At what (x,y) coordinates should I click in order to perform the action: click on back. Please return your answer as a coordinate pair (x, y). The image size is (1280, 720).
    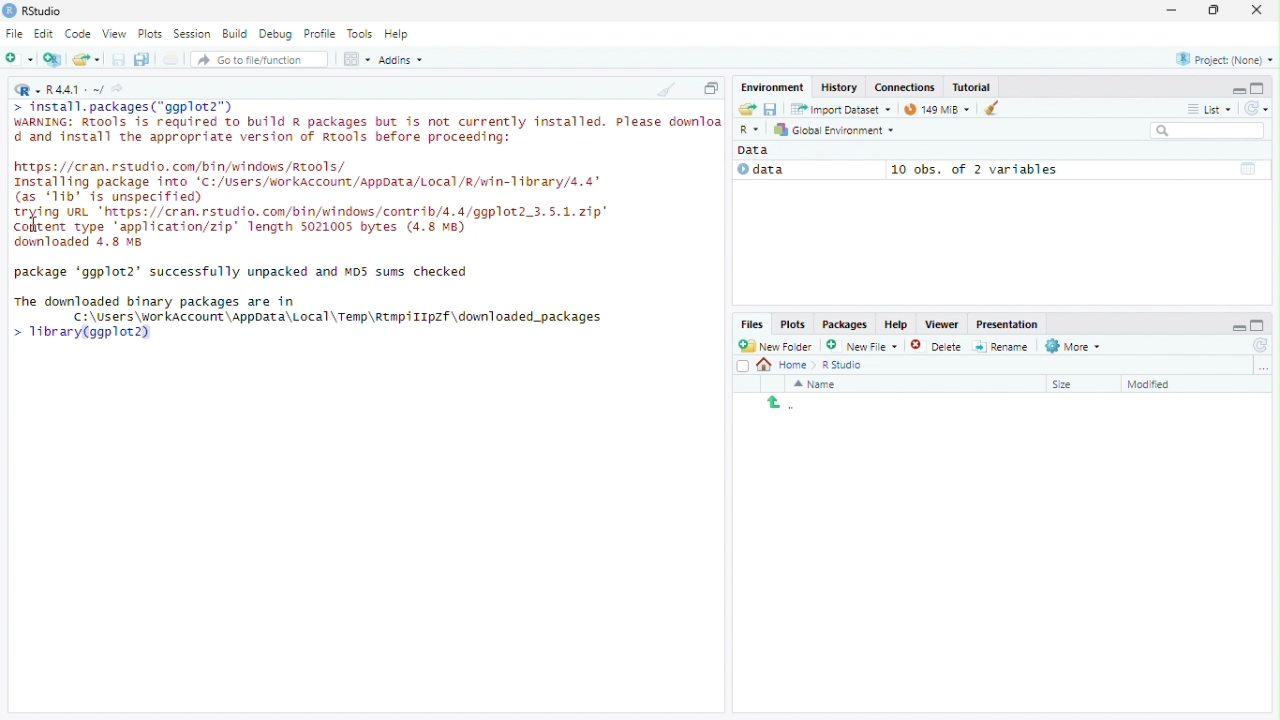
    Looking at the image, I should click on (775, 402).